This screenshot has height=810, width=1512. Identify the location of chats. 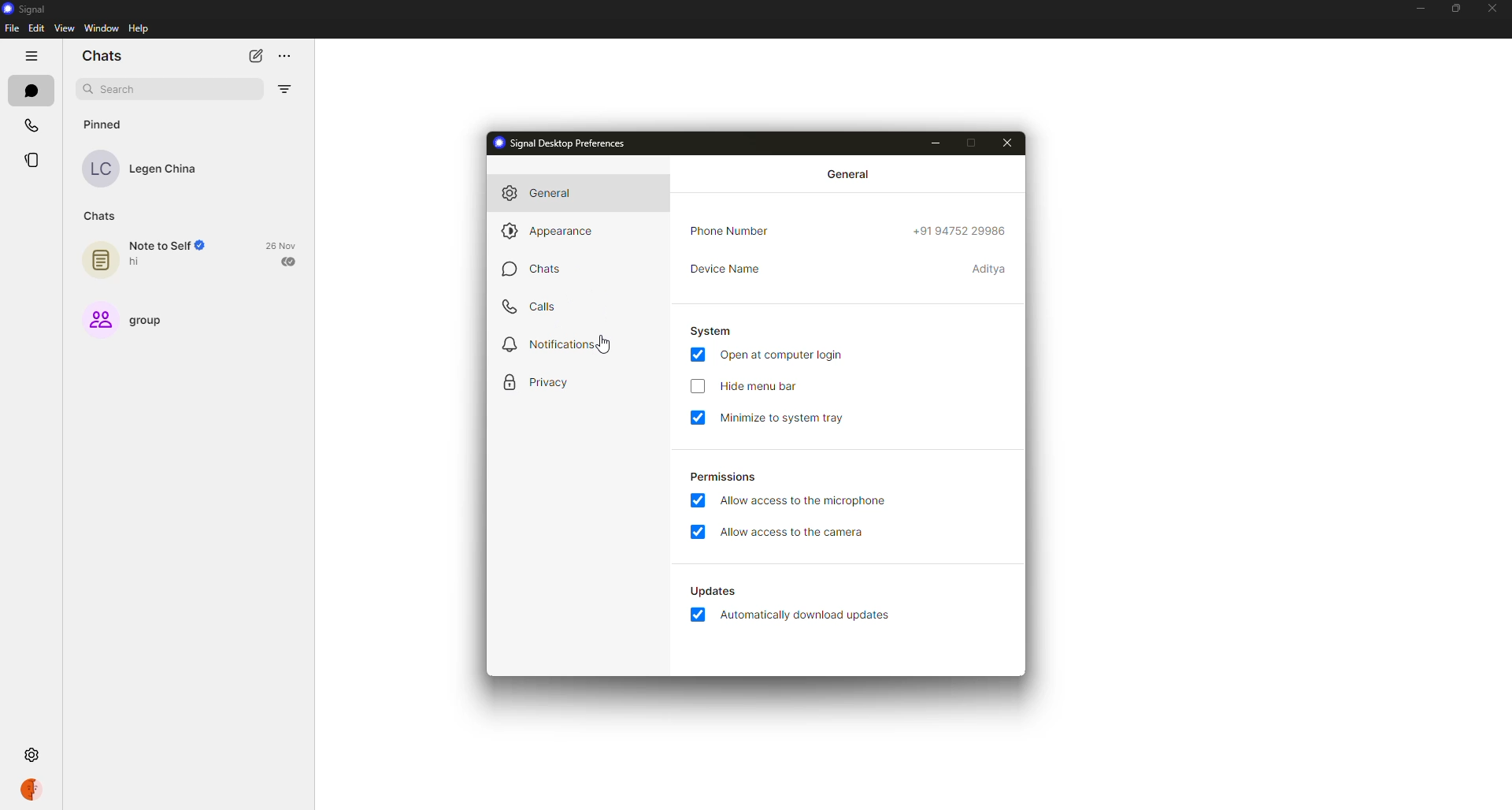
(532, 271).